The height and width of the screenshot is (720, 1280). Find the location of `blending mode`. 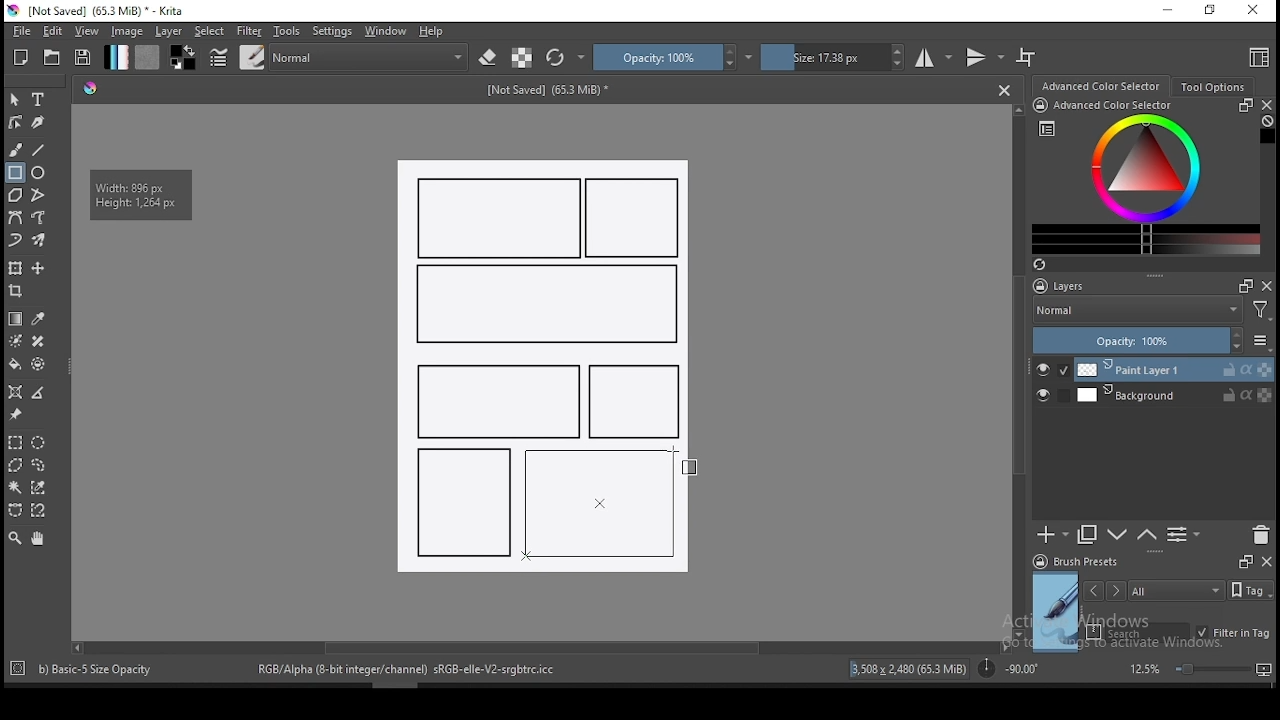

blending mode is located at coordinates (1136, 312).